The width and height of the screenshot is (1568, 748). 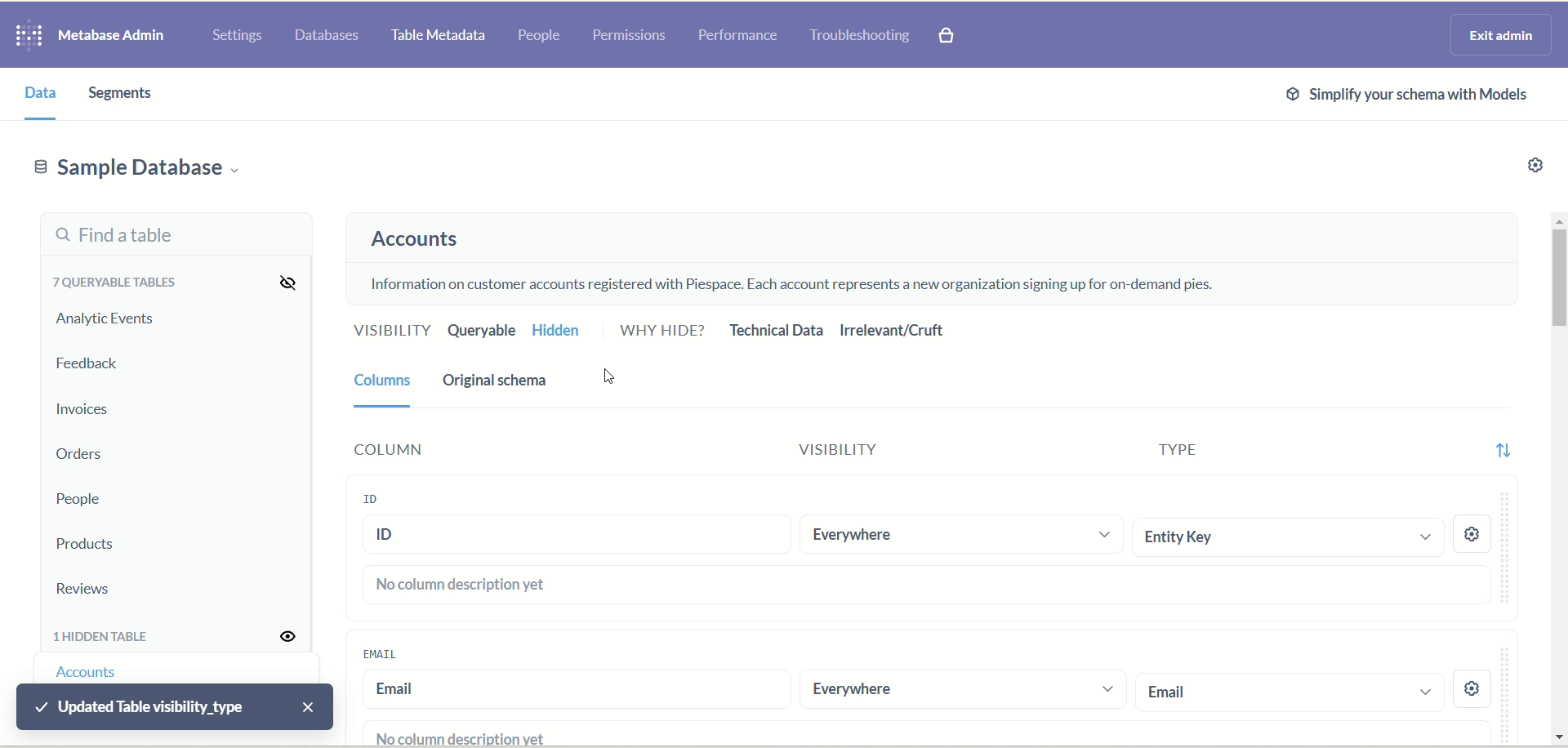 I want to click on metabase admin heading, so click(x=111, y=35).